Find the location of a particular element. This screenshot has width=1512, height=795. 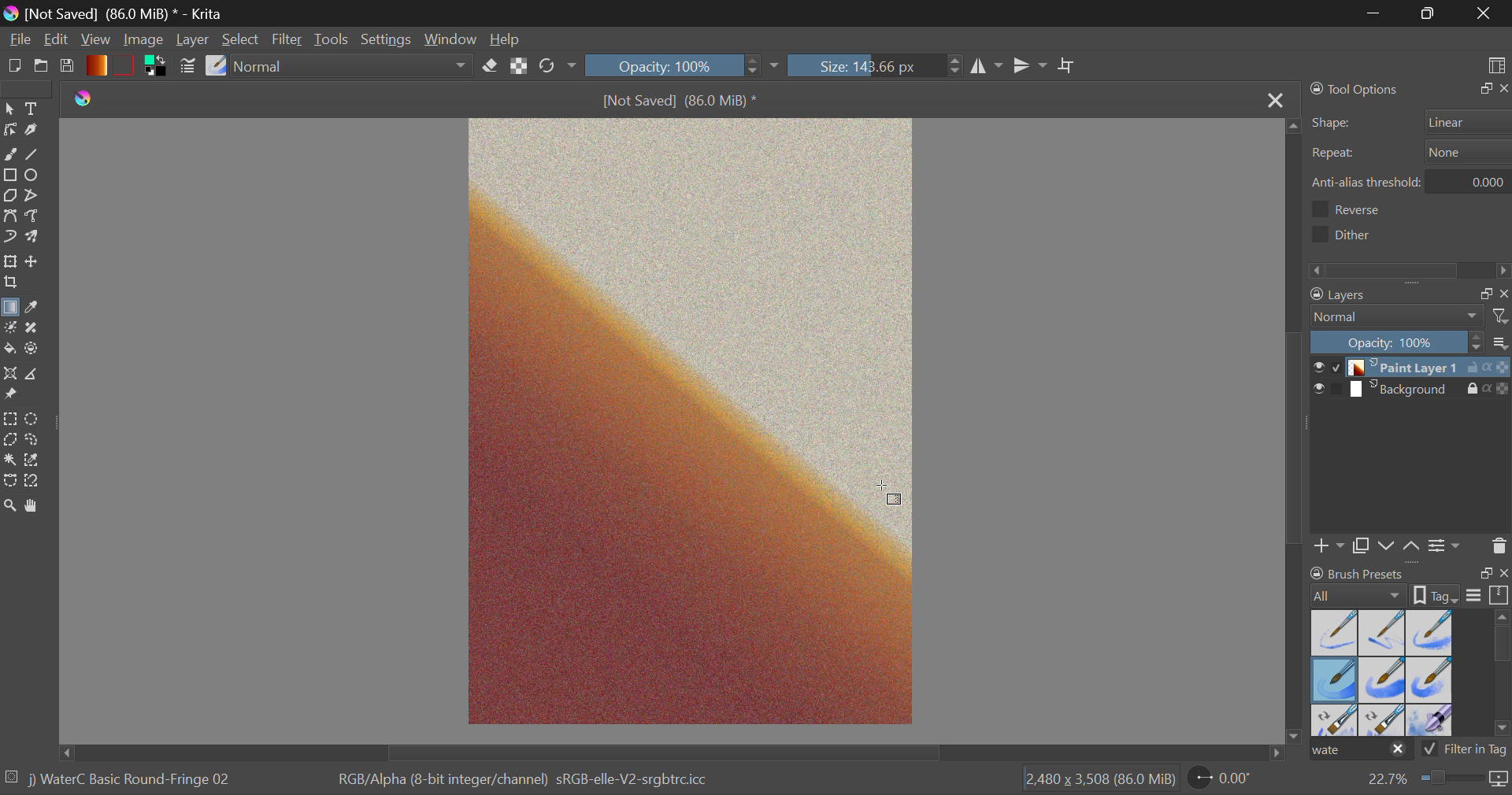

Eraser is located at coordinates (492, 64).